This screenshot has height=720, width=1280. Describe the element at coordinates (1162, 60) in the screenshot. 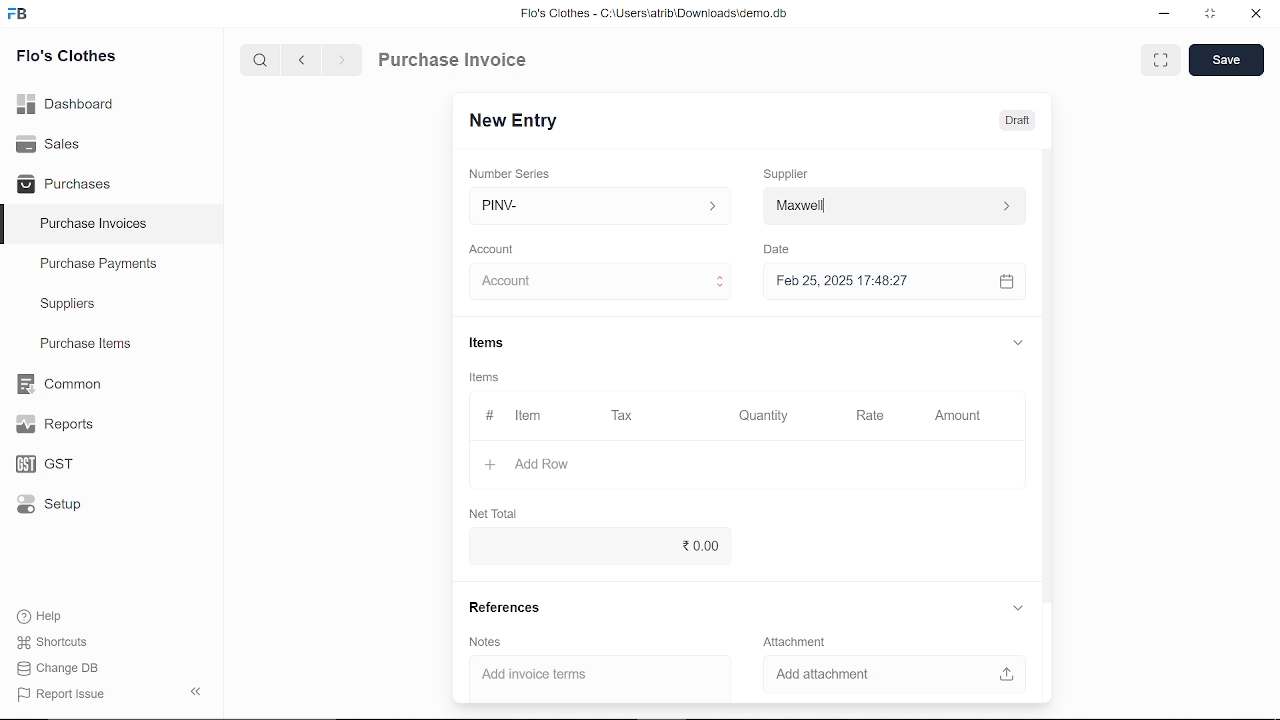

I see `full view` at that location.